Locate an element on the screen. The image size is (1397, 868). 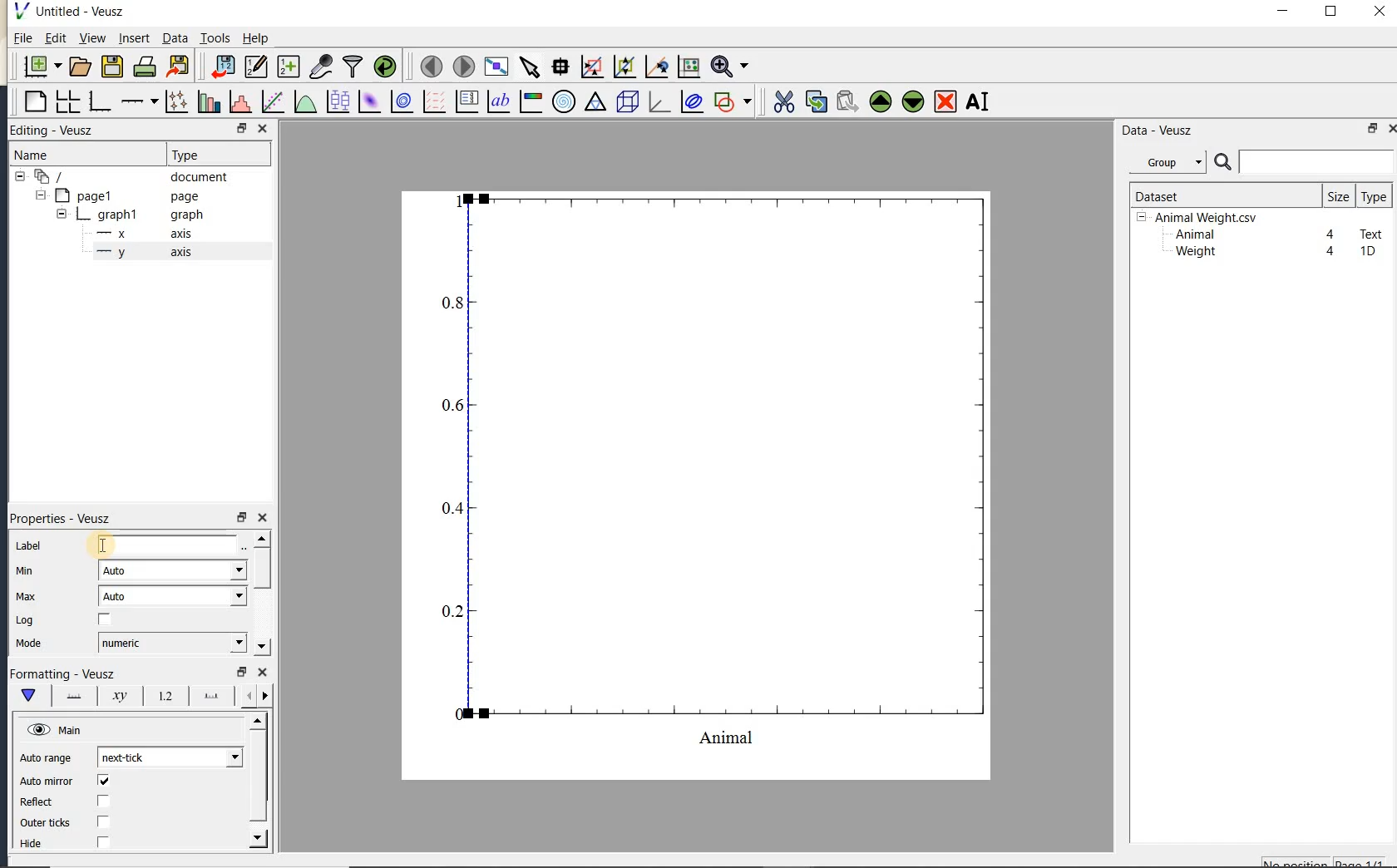
maximize is located at coordinates (1331, 12).